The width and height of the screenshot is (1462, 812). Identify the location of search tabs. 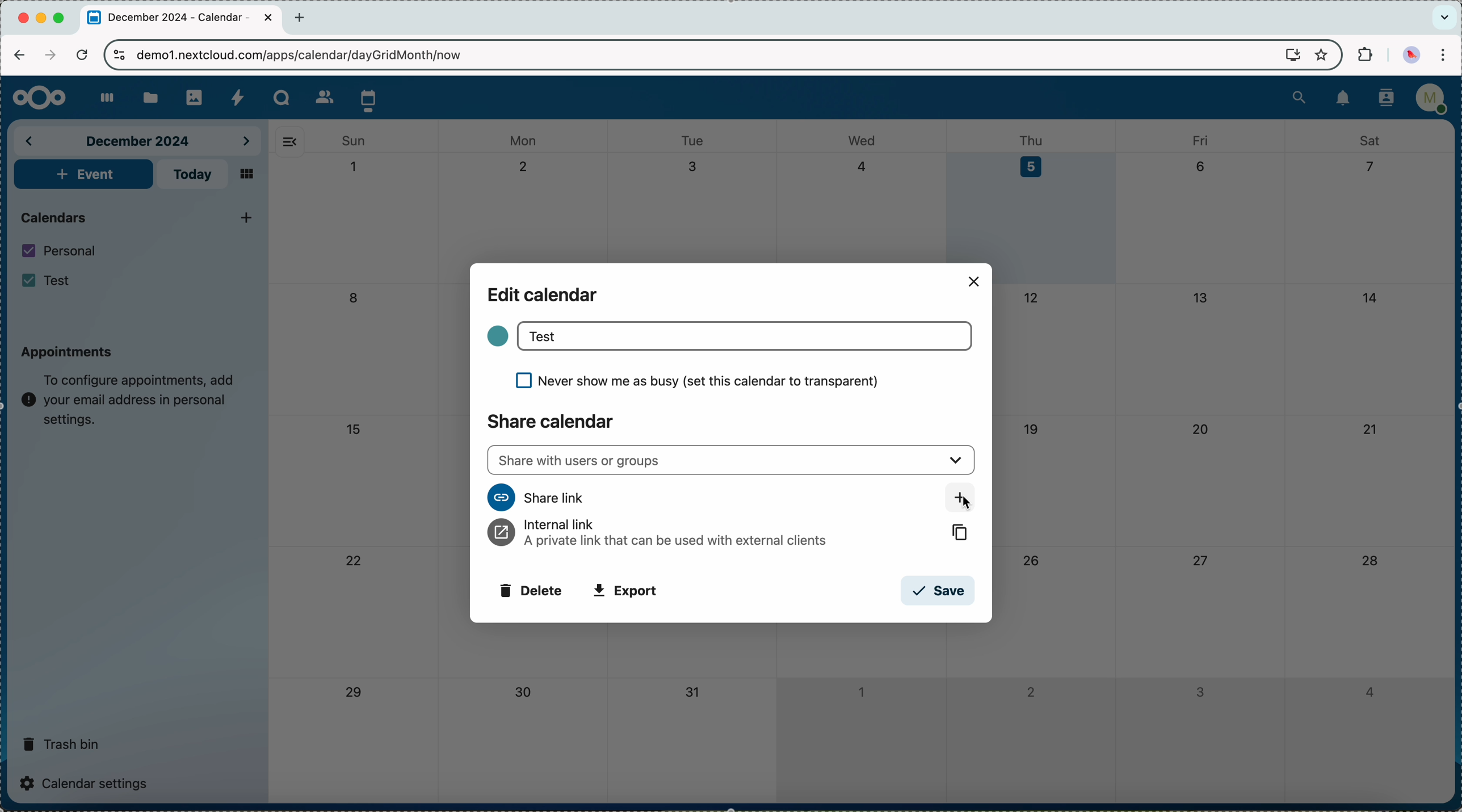
(1444, 18).